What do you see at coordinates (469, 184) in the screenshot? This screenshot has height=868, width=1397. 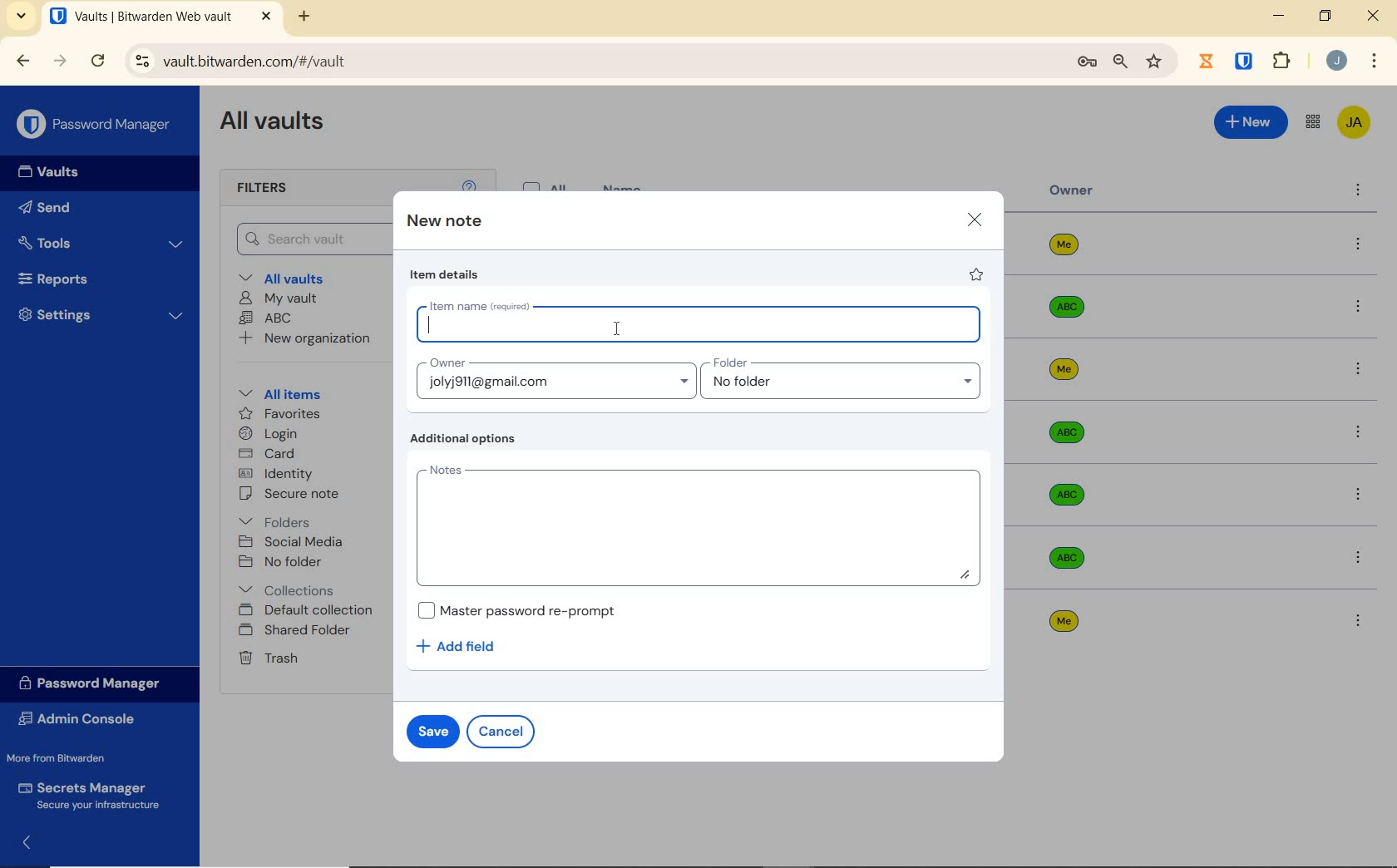 I see `help` at bounding box center [469, 184].